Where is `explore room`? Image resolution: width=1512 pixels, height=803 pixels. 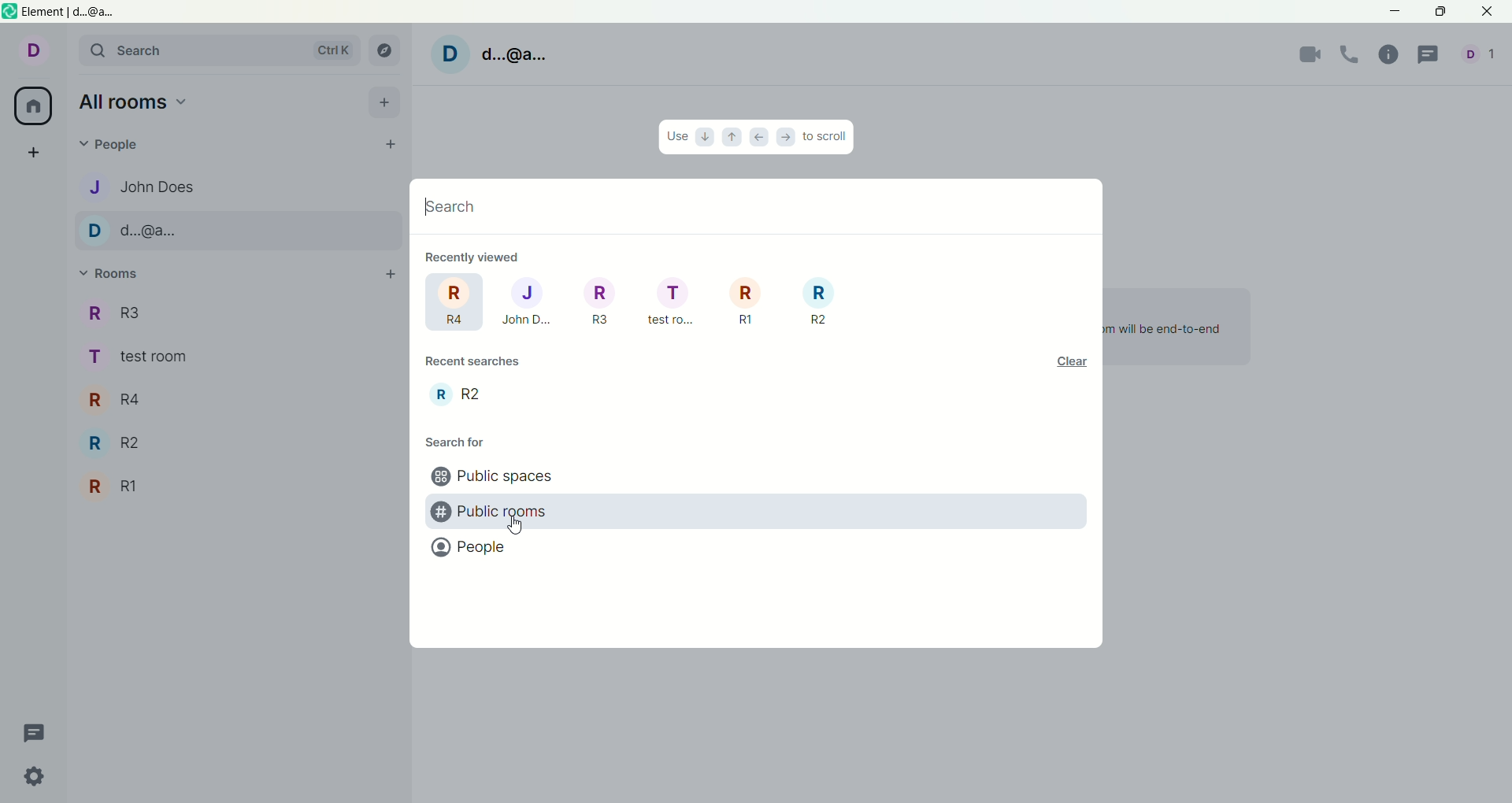
explore room is located at coordinates (385, 50).